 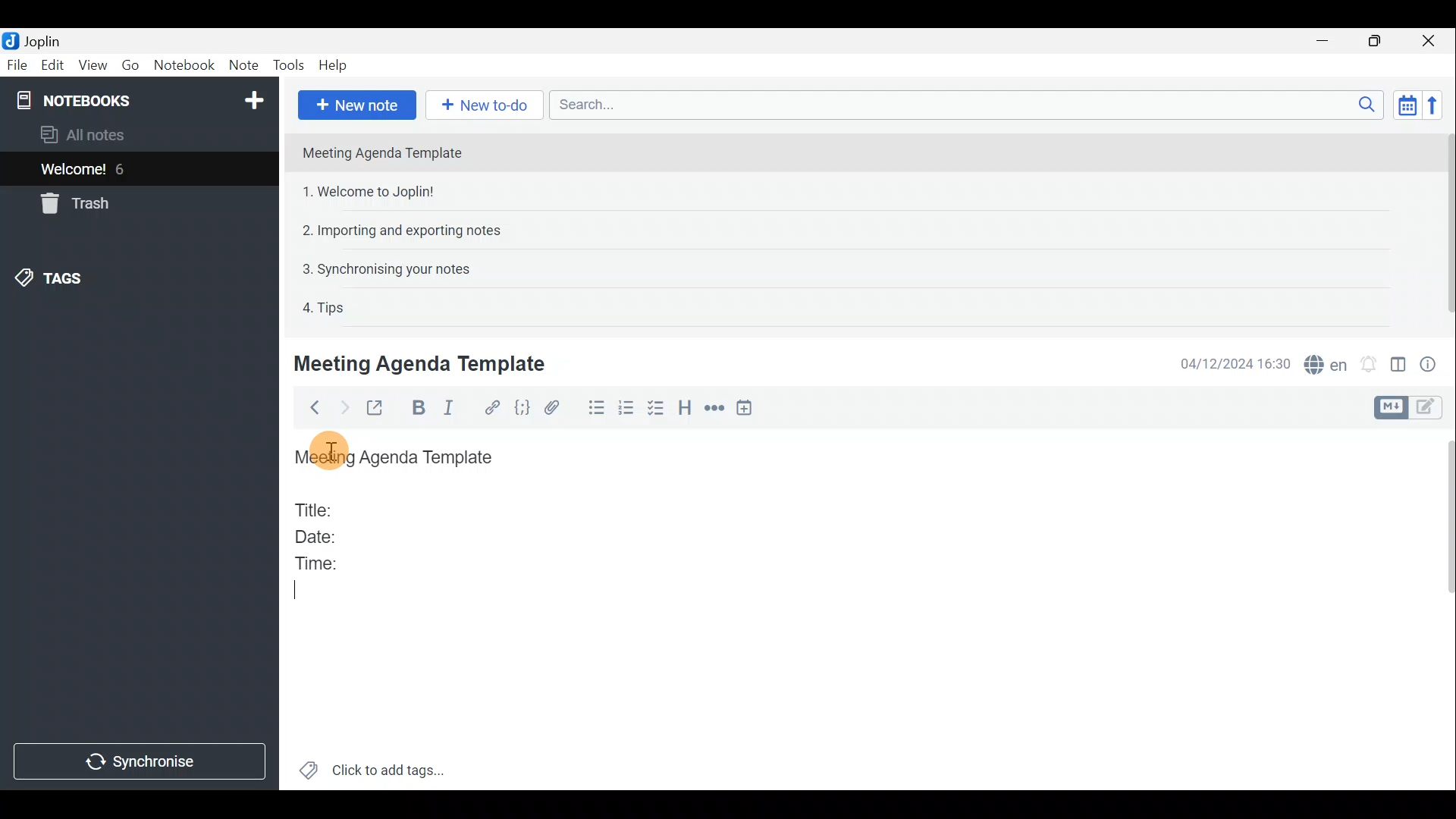 What do you see at coordinates (559, 408) in the screenshot?
I see `Attach file` at bounding box center [559, 408].